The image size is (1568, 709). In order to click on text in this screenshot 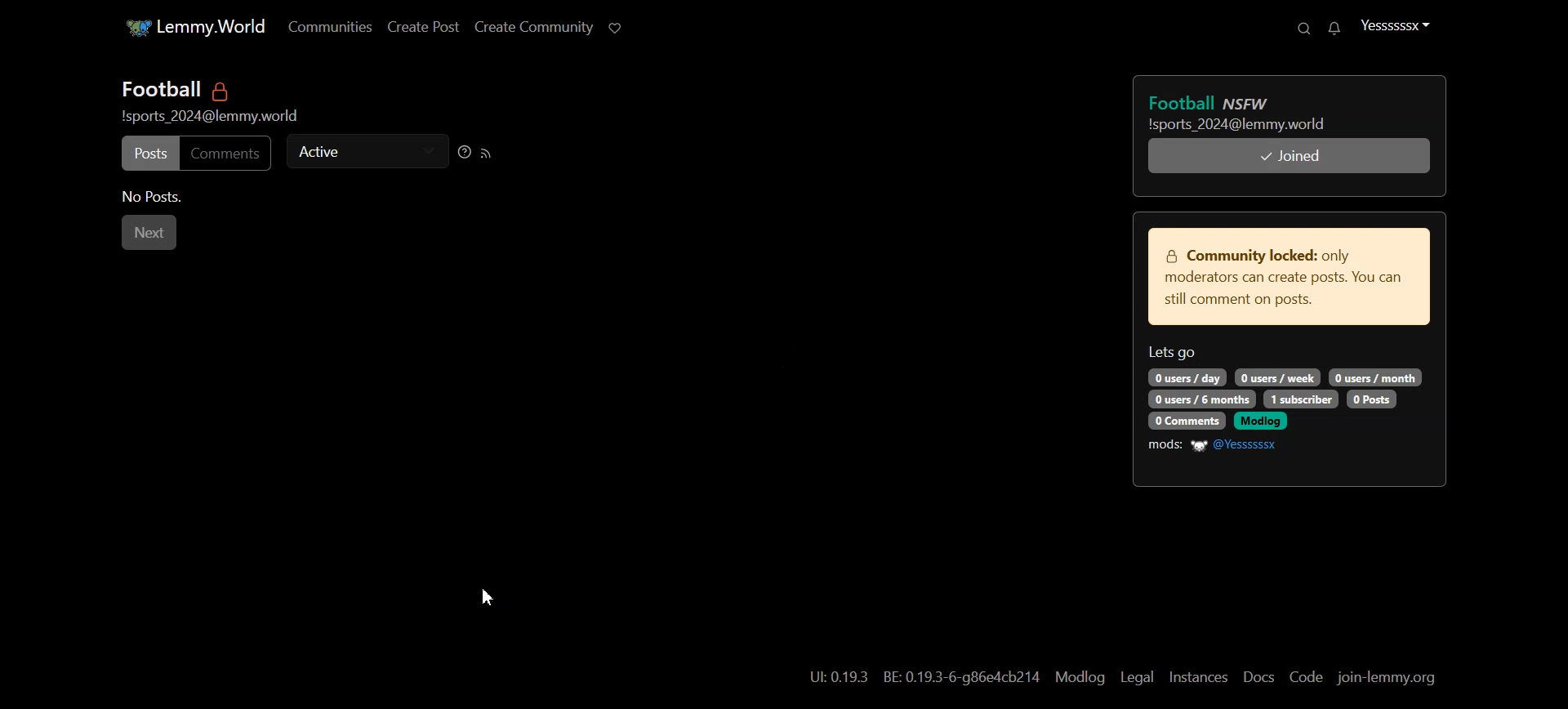, I will do `click(211, 114)`.